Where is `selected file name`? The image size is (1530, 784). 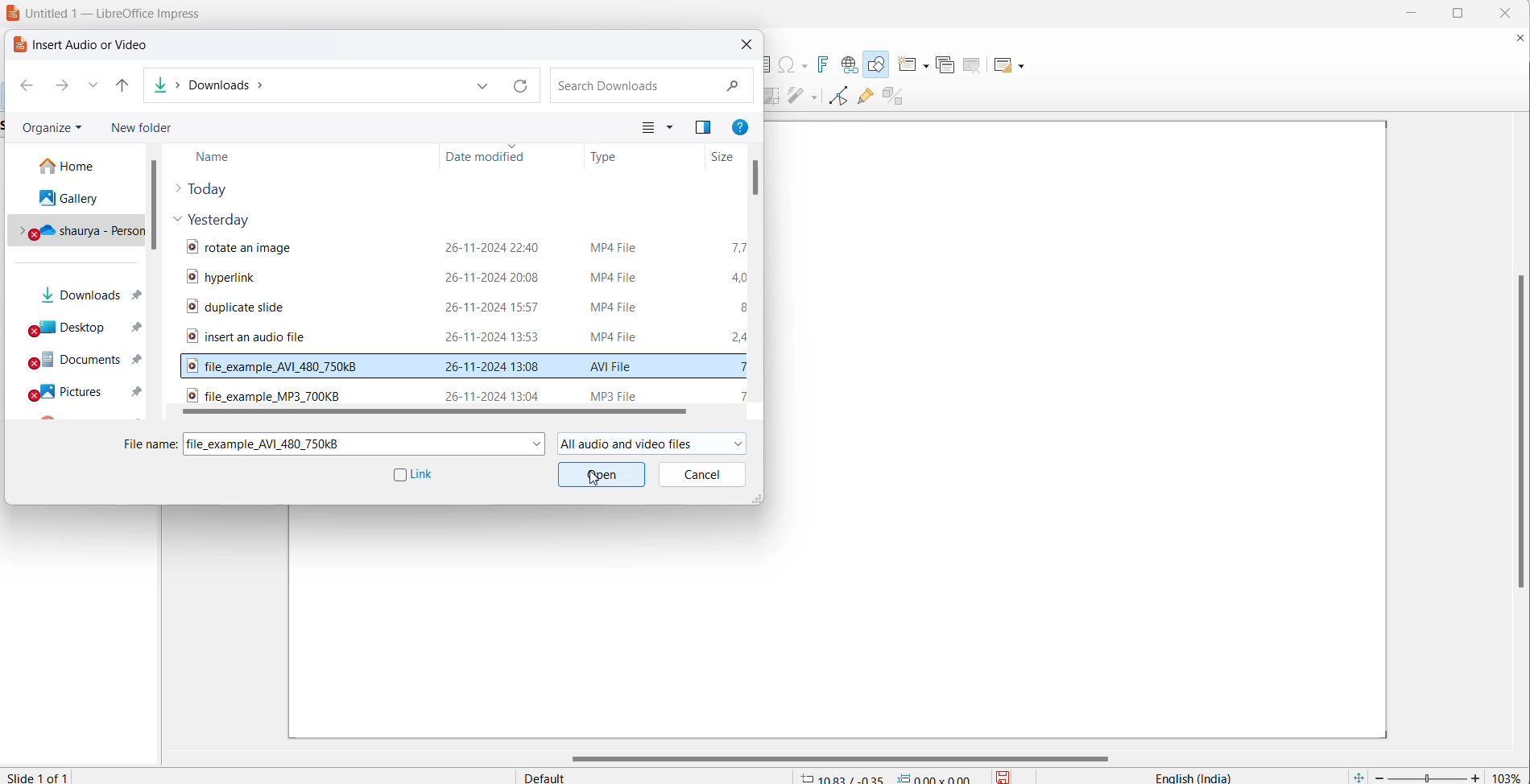 selected file name is located at coordinates (349, 444).